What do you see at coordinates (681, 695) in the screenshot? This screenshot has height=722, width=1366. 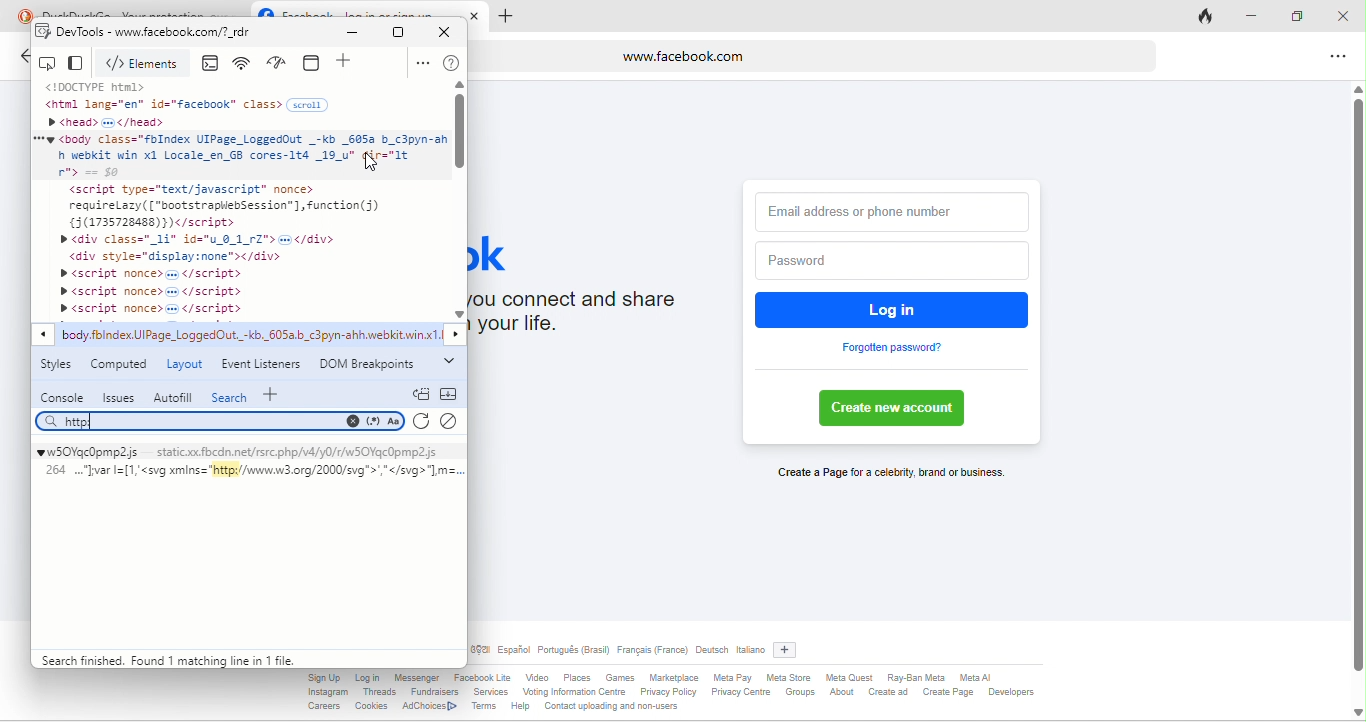 I see `SgrUp login Messager Fasbooklte Video Places Games Masplace MeaPay MeaSore MemQuest RayBanMen Mealinsagram Thesds Funders Servees Vong omaton Genre PriacyPoley  PivacyCente Gros About Crested CresePage DevelopersCarsers Cookies AdChocest> Tams Help Contact uploading and non-users.` at bounding box center [681, 695].